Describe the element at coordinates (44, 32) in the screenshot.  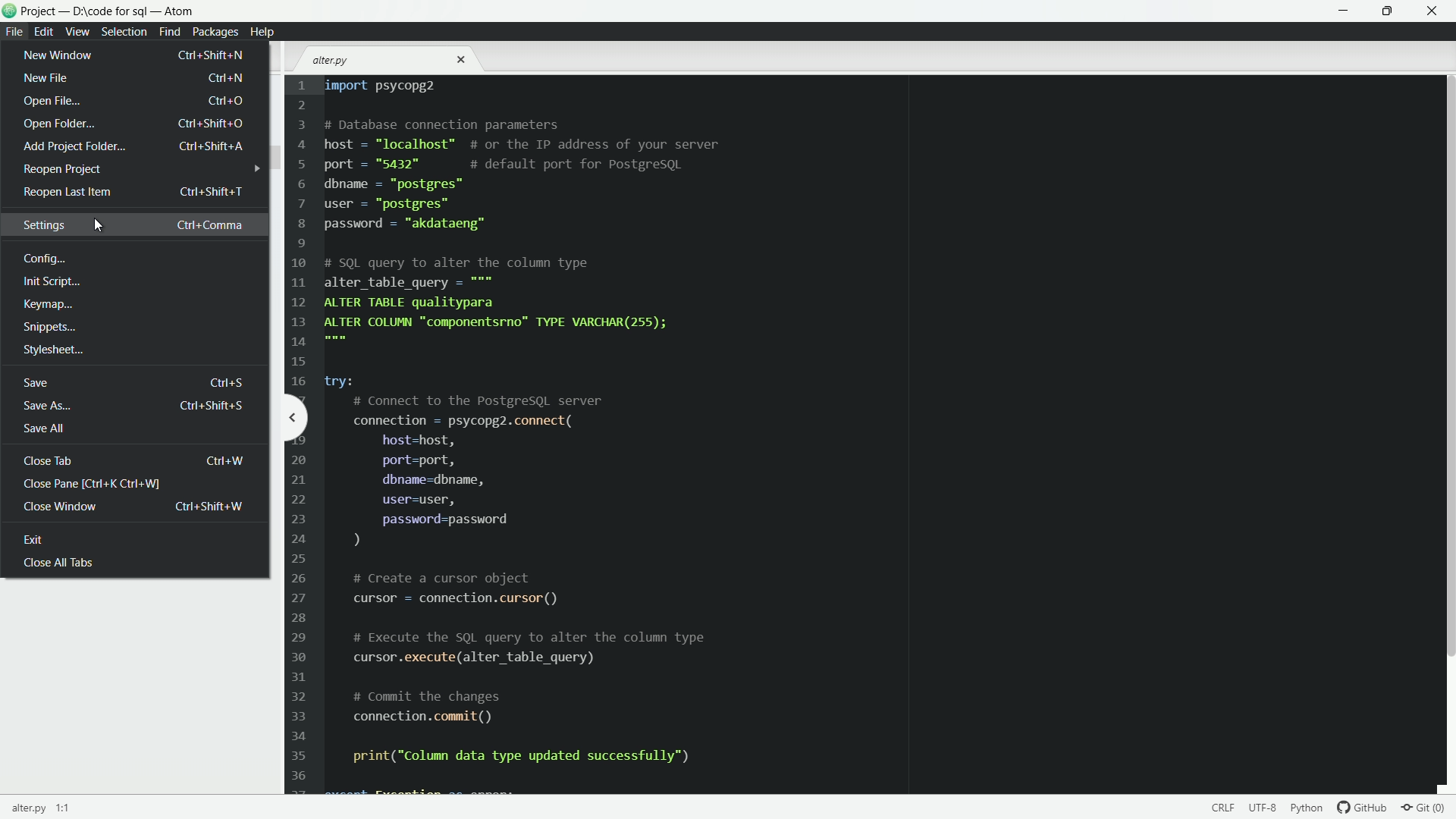
I see `edit menu` at that location.